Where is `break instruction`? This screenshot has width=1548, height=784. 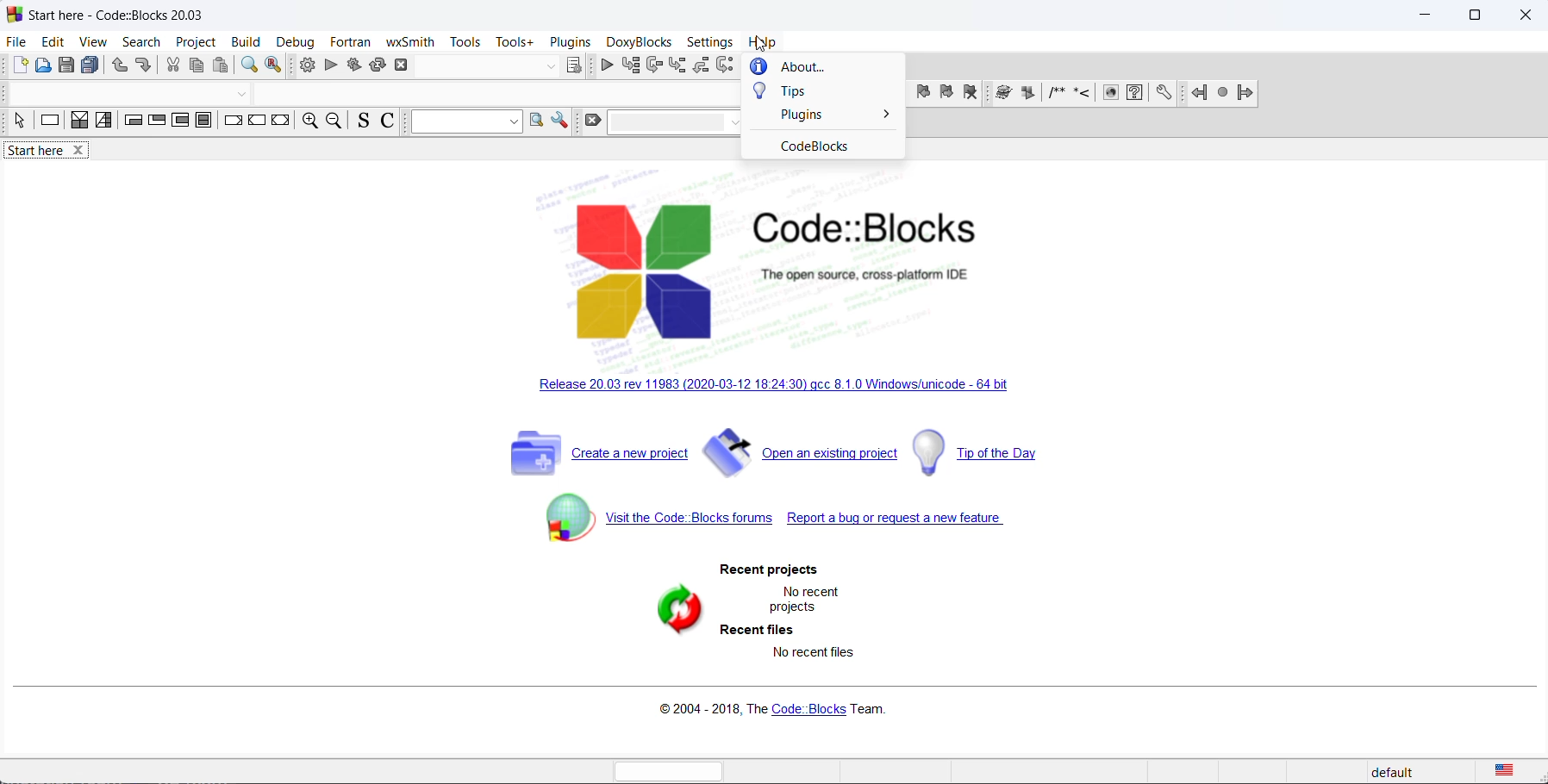 break instruction is located at coordinates (231, 122).